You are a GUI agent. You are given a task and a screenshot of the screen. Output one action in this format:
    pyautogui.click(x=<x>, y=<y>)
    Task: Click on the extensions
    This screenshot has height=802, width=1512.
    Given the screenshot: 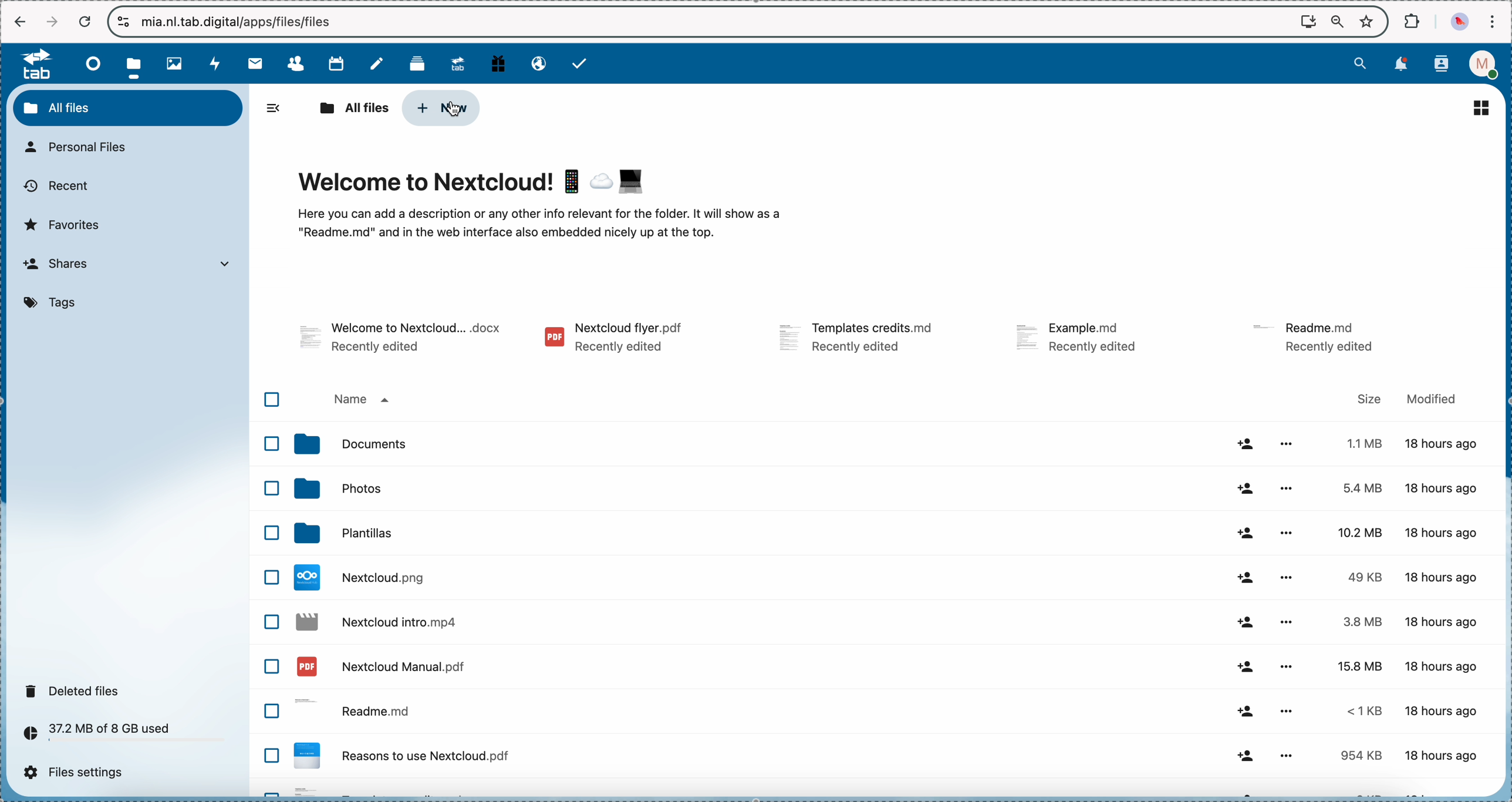 What is the action you would take?
    pyautogui.click(x=1413, y=20)
    